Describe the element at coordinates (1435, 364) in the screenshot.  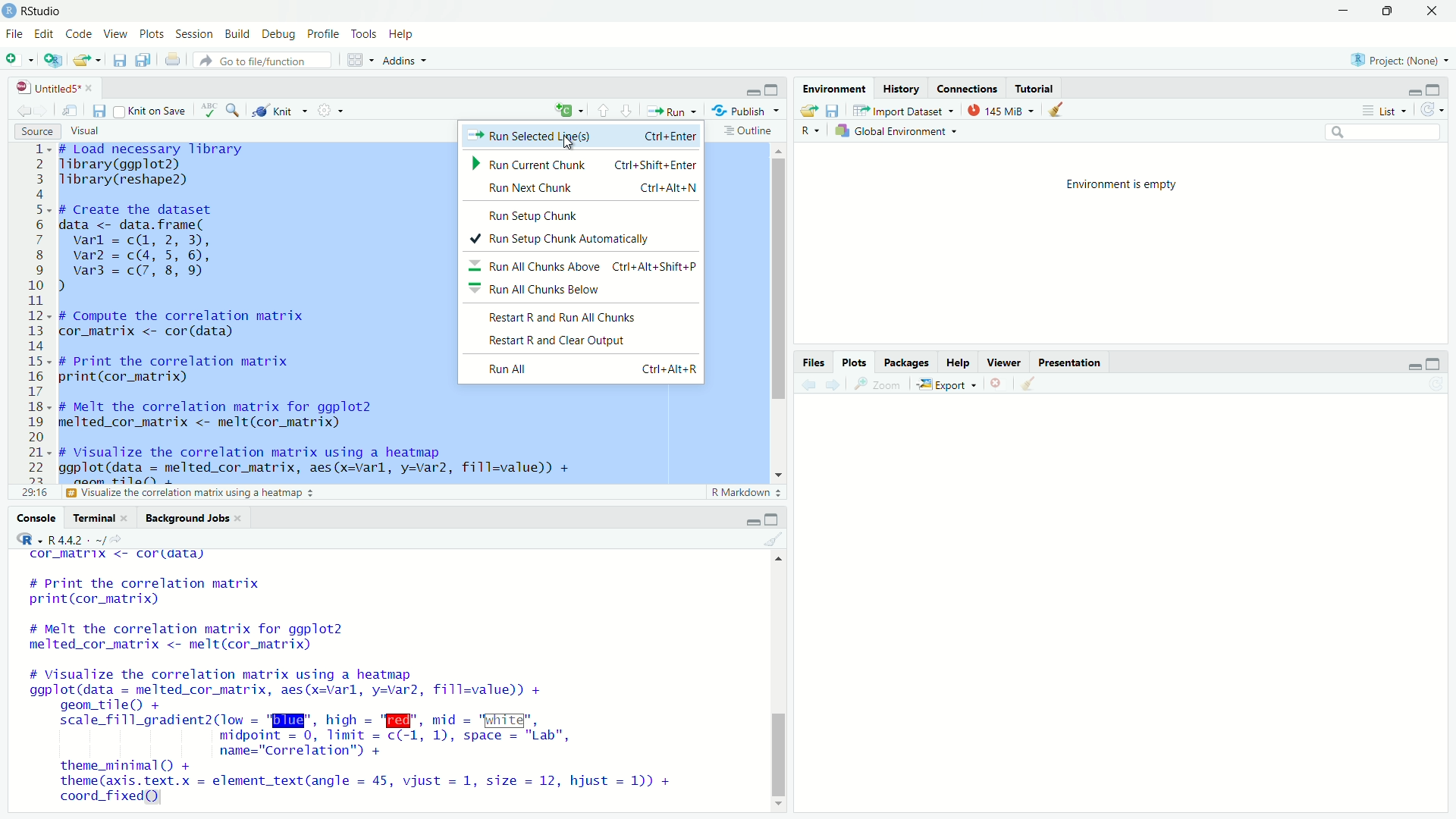
I see `maximize` at that location.